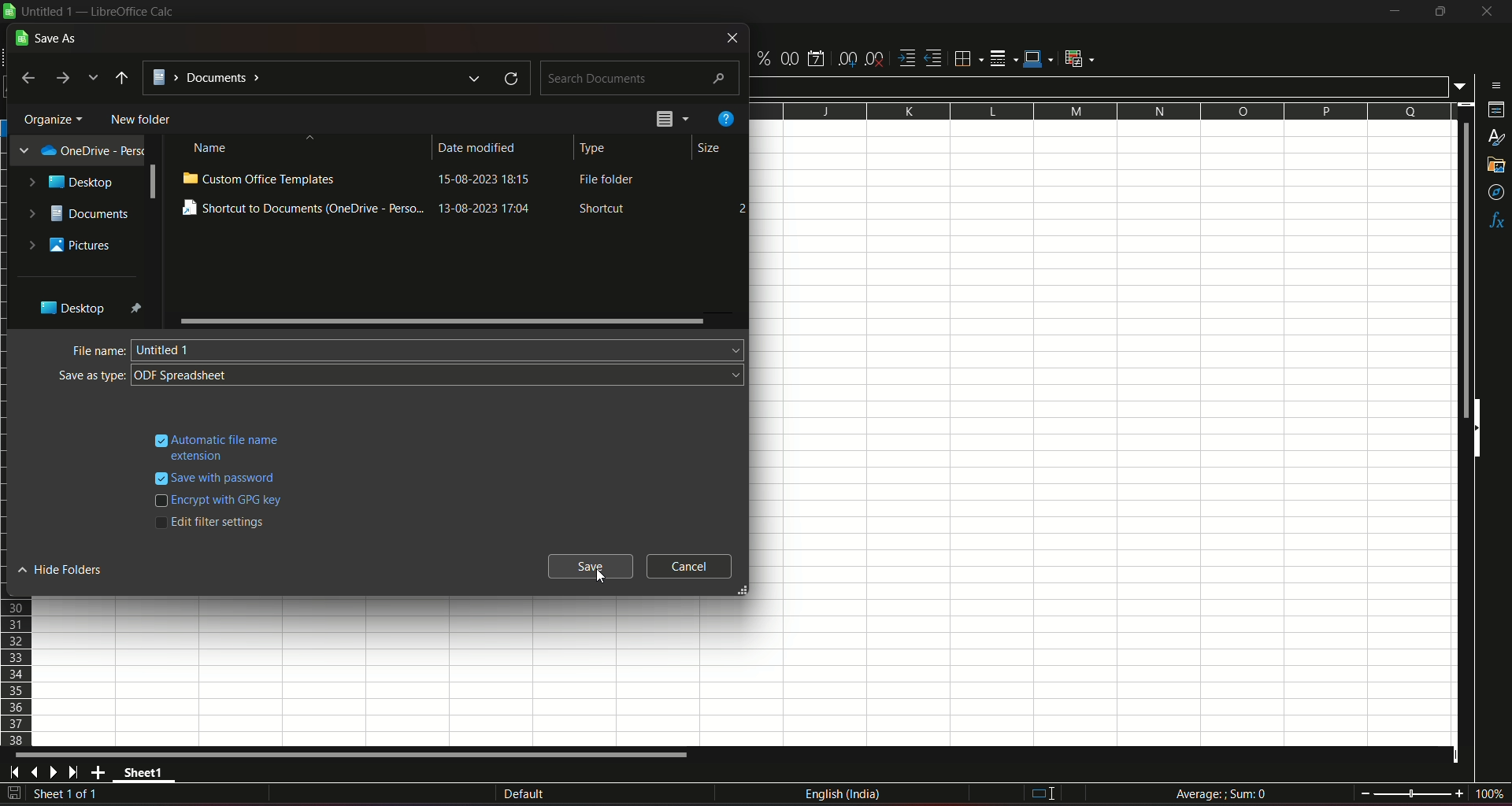 The height and width of the screenshot is (806, 1512). What do you see at coordinates (1464, 270) in the screenshot?
I see `vertical scroll bar` at bounding box center [1464, 270].